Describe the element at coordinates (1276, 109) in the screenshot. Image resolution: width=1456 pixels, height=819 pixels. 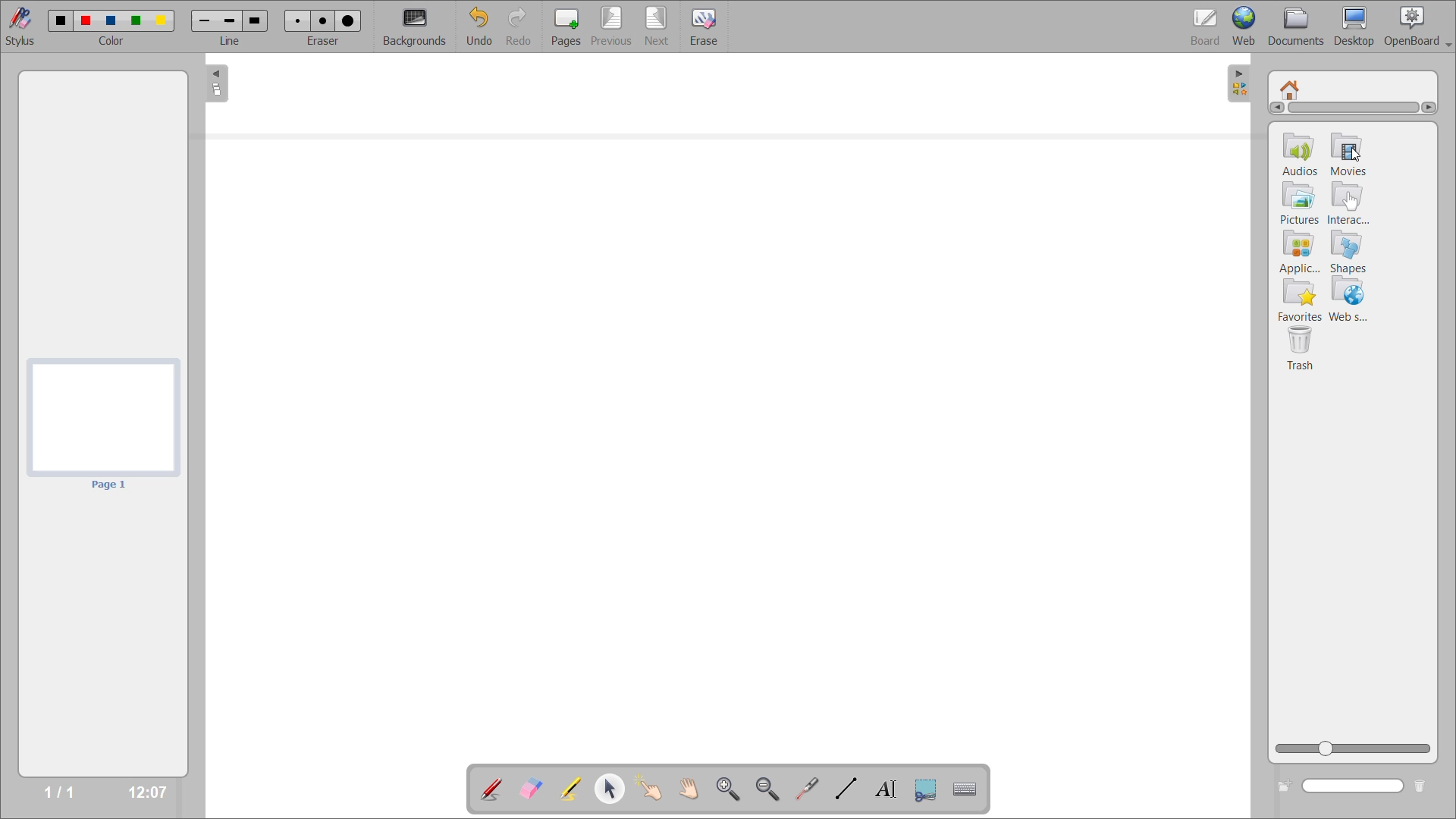
I see `Left arrow` at that location.